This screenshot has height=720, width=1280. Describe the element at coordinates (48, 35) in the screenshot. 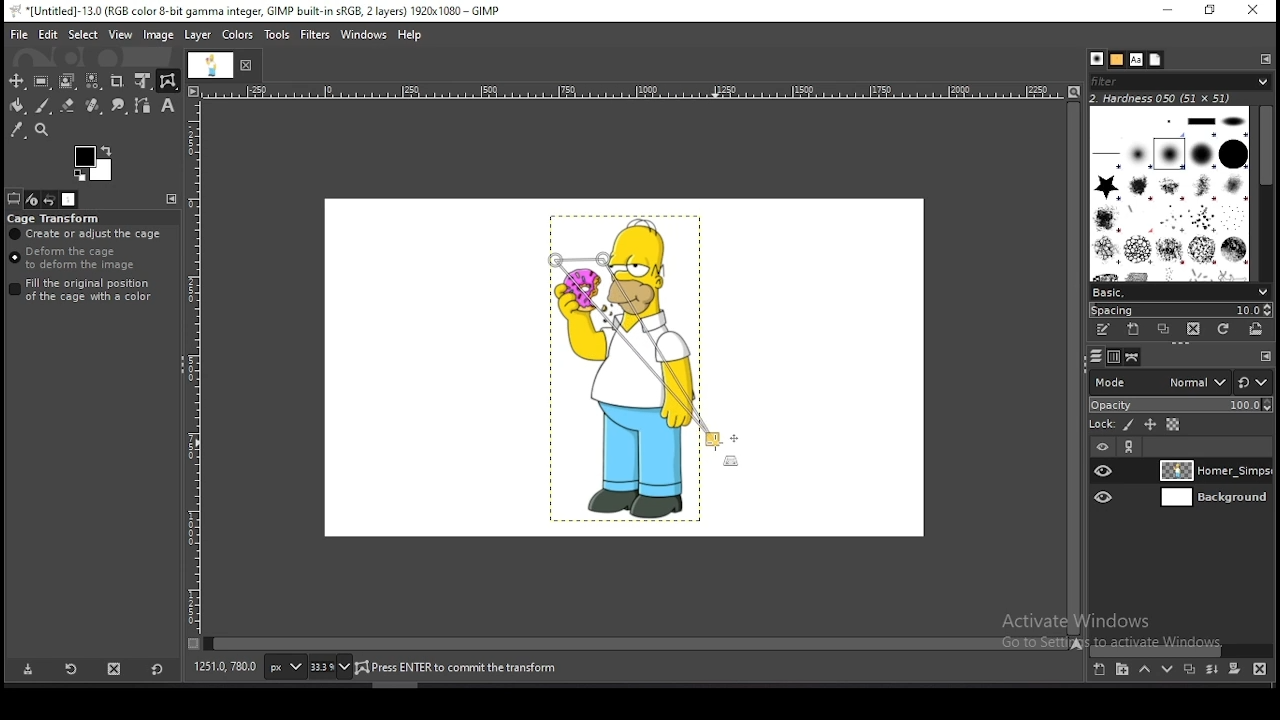

I see `edit` at that location.